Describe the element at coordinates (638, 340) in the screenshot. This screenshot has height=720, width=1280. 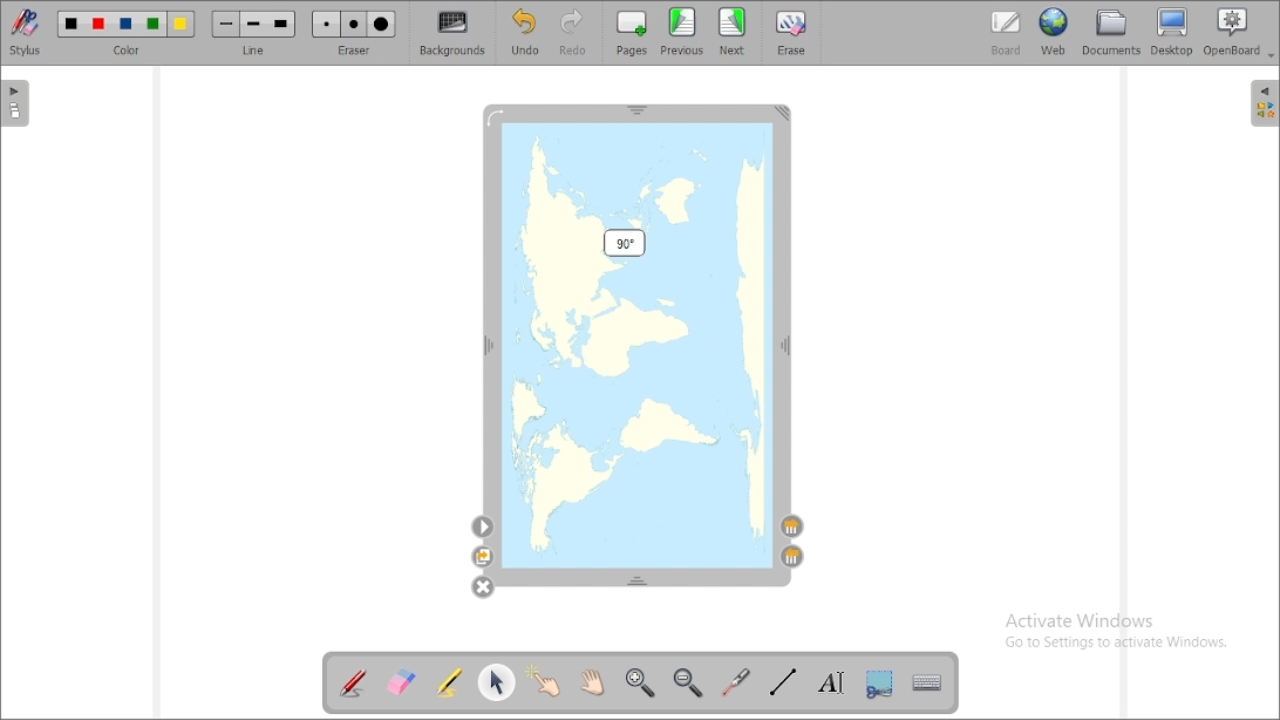
I see `image rotated` at that location.